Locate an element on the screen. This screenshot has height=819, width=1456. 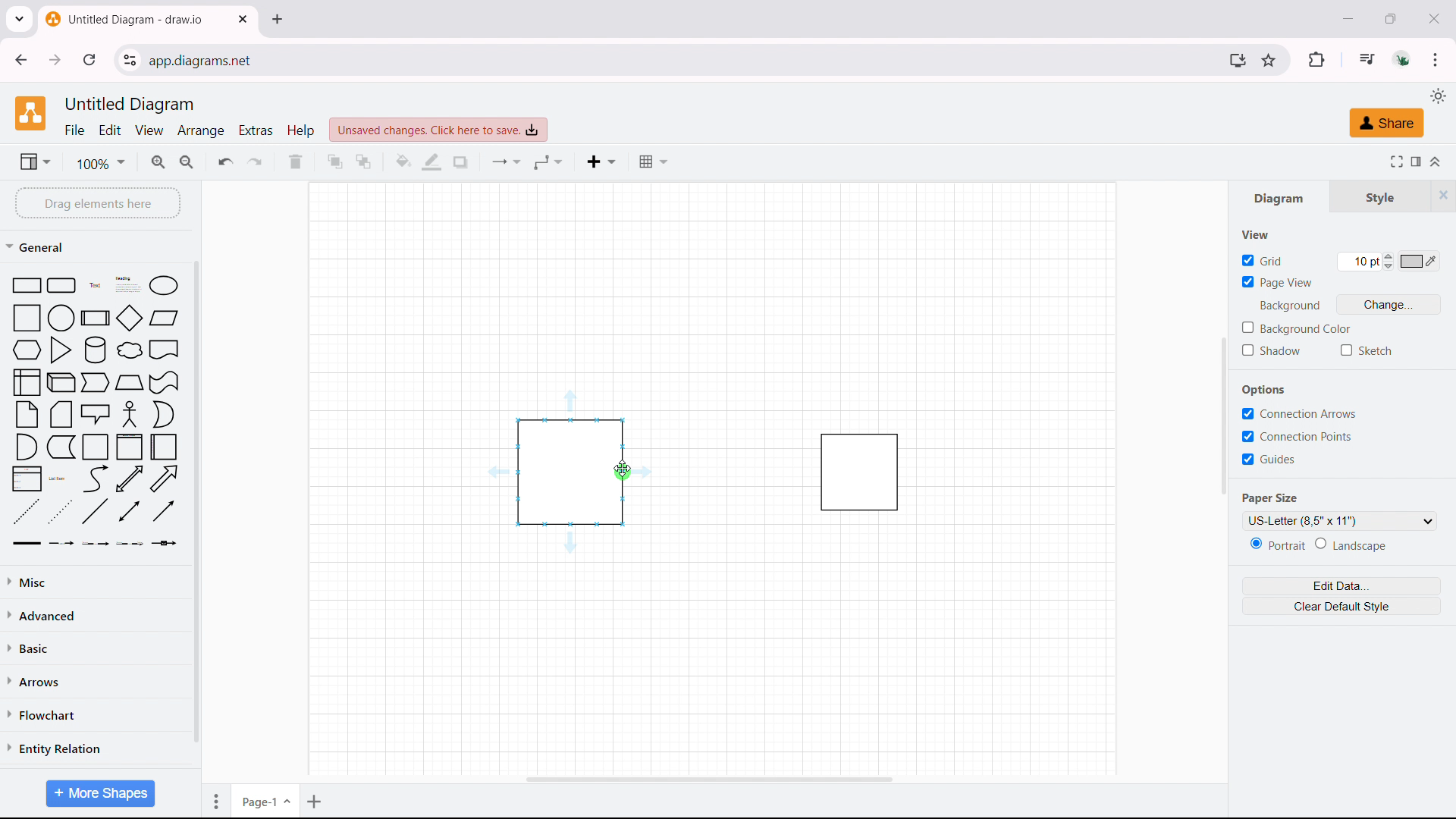
maximize is located at coordinates (1394, 17).